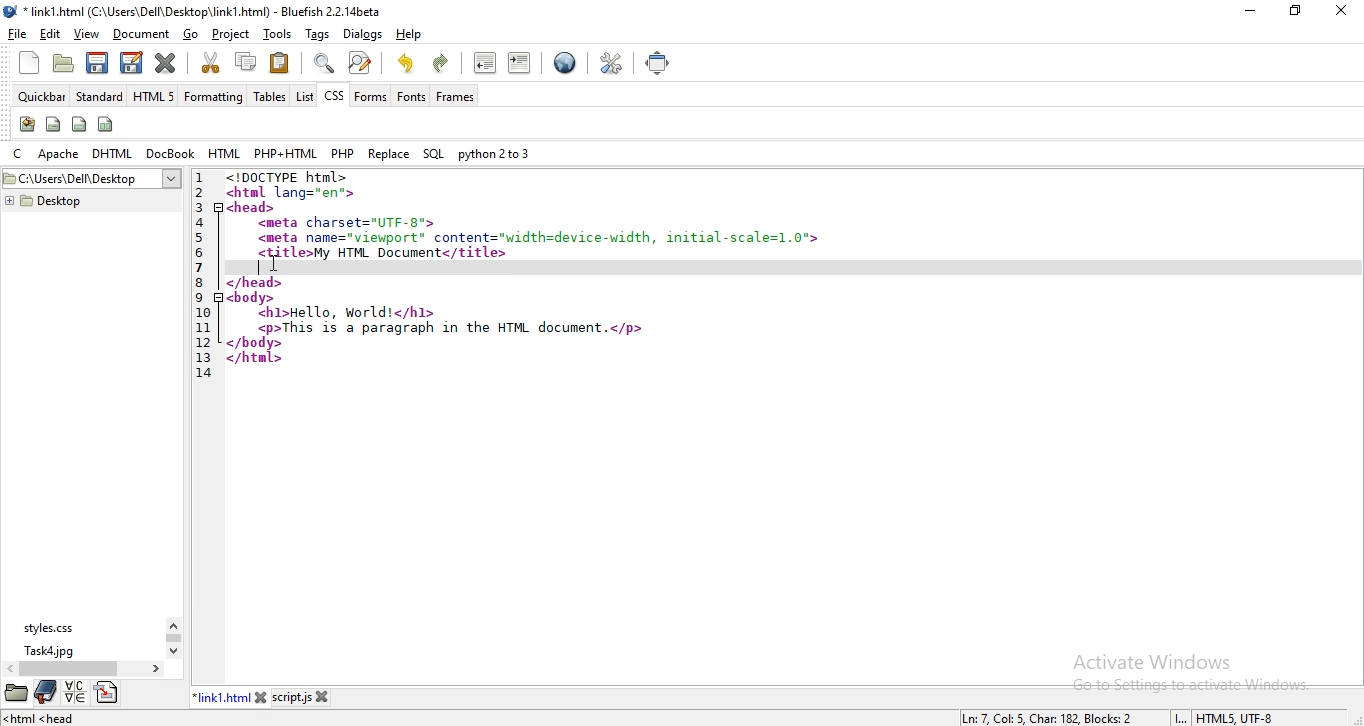 The width and height of the screenshot is (1364, 726). I want to click on columns, so click(104, 125).